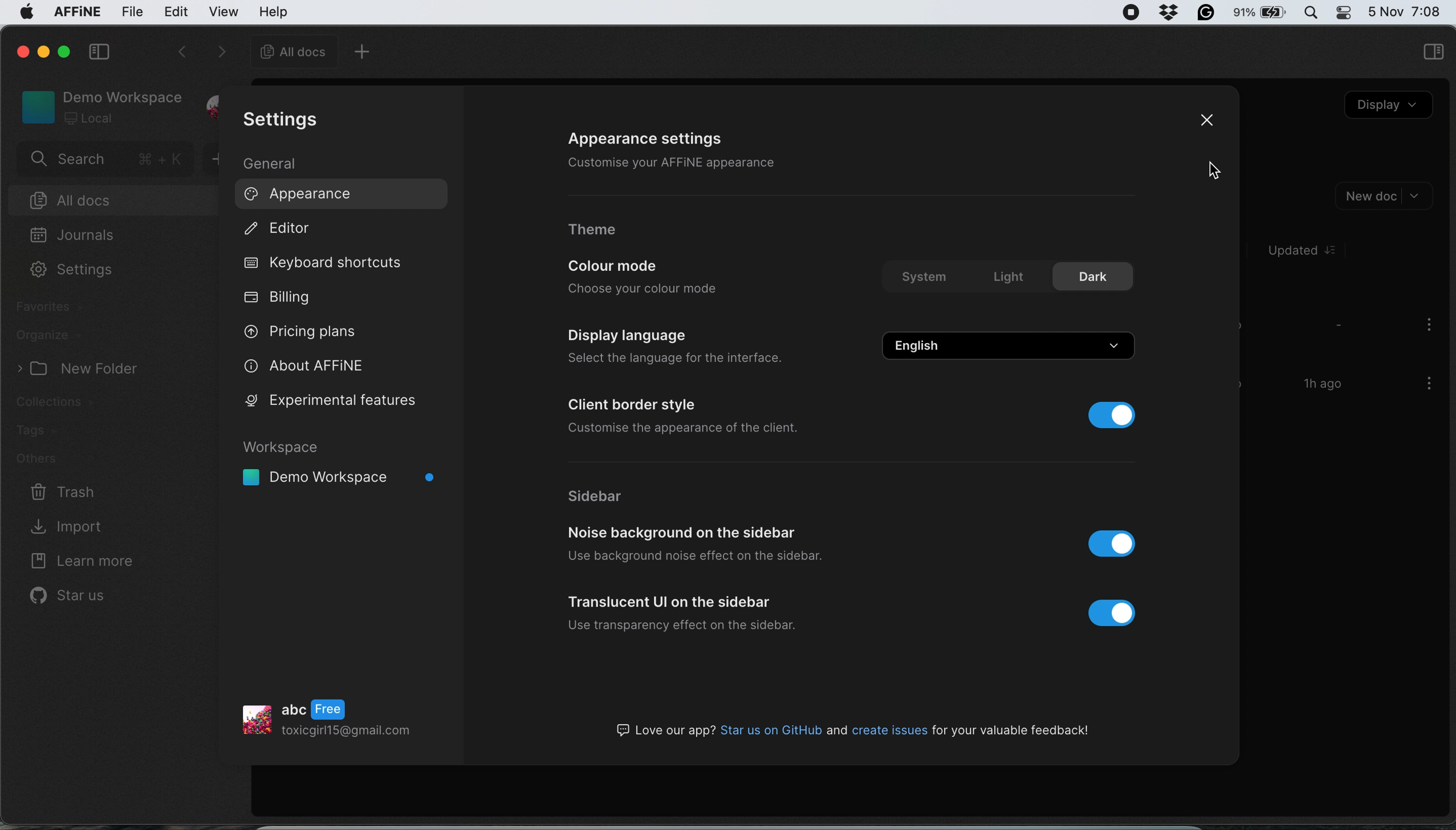 The image size is (1456, 830). I want to click on workspace, so click(350, 477).